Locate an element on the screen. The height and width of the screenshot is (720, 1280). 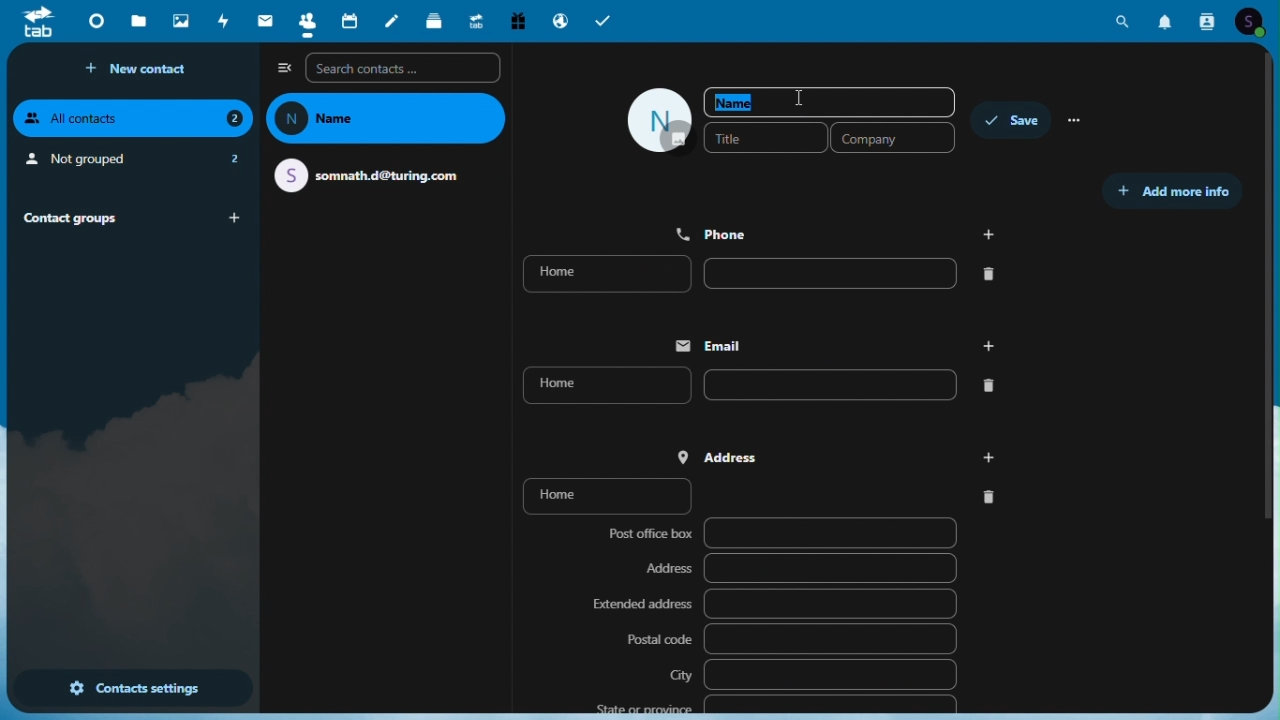
Contact settings is located at coordinates (131, 690).